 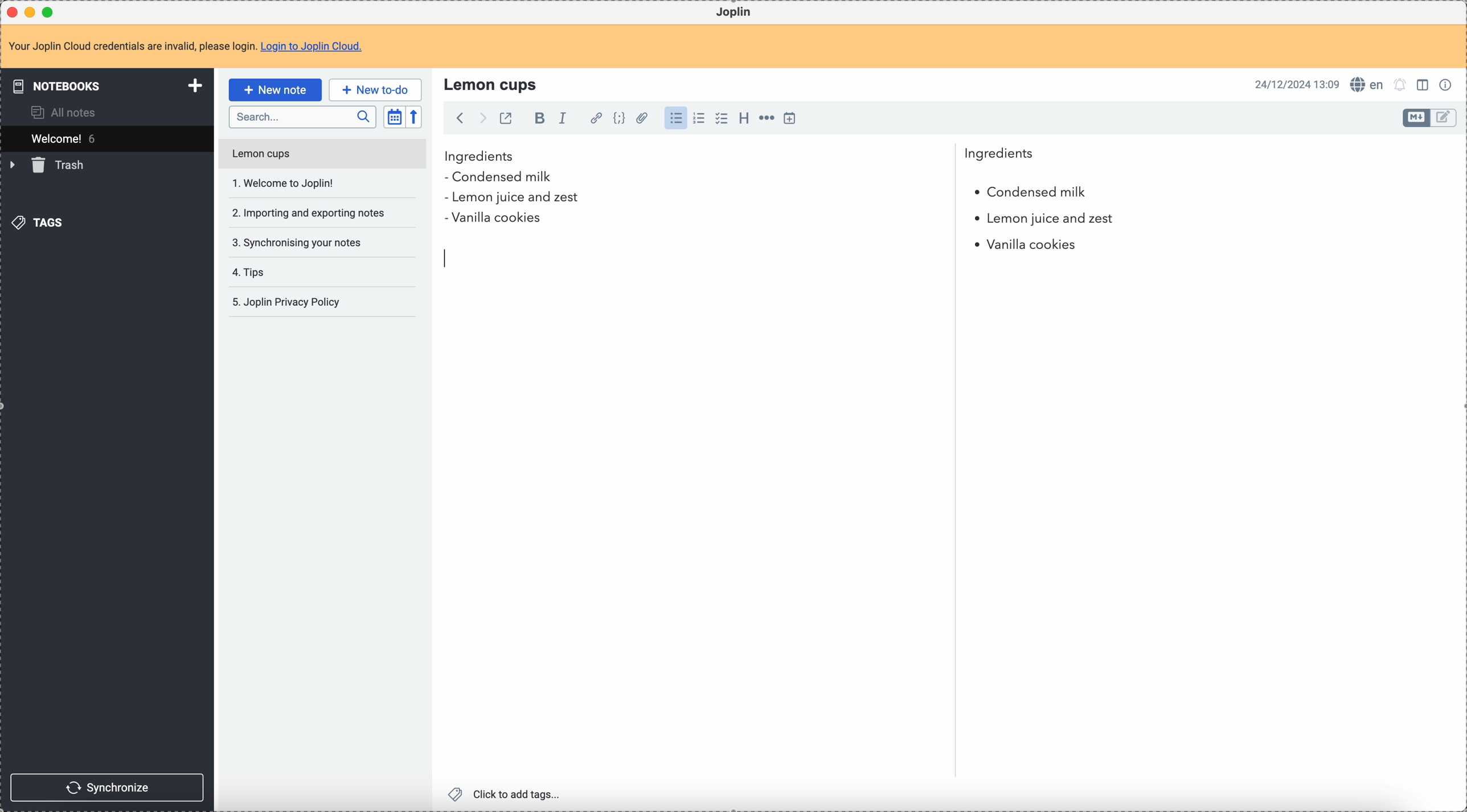 What do you see at coordinates (448, 256) in the screenshot?
I see `remove P` at bounding box center [448, 256].